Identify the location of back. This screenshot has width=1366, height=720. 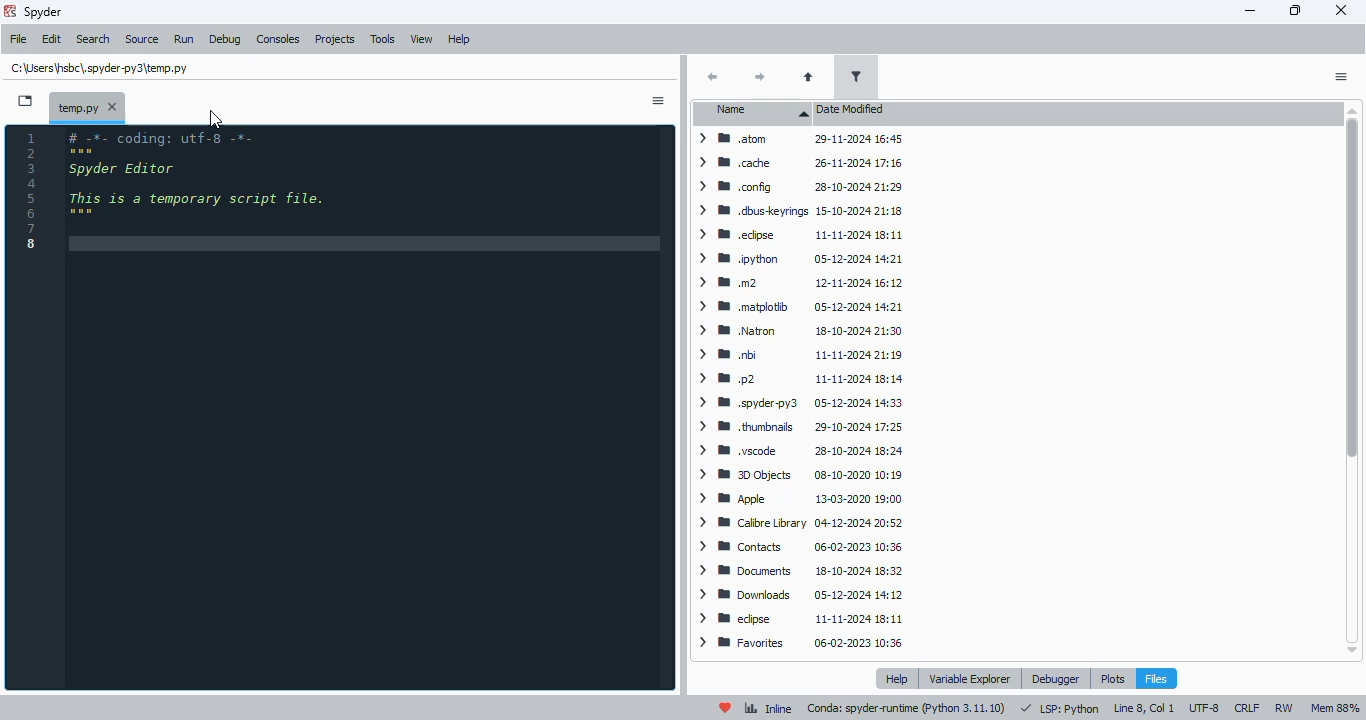
(713, 76).